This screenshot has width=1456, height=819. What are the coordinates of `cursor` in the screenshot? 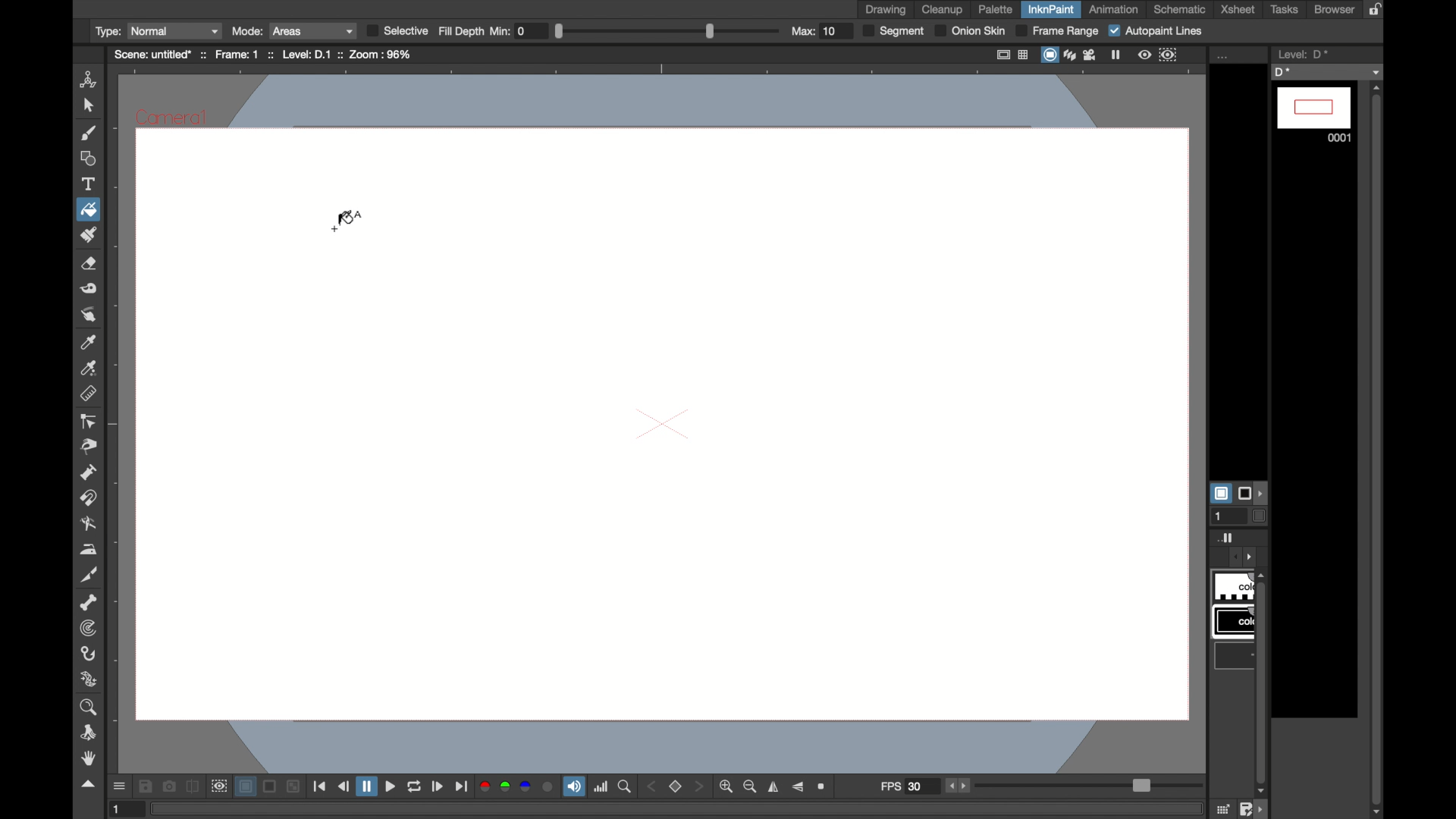 It's located at (93, 222).